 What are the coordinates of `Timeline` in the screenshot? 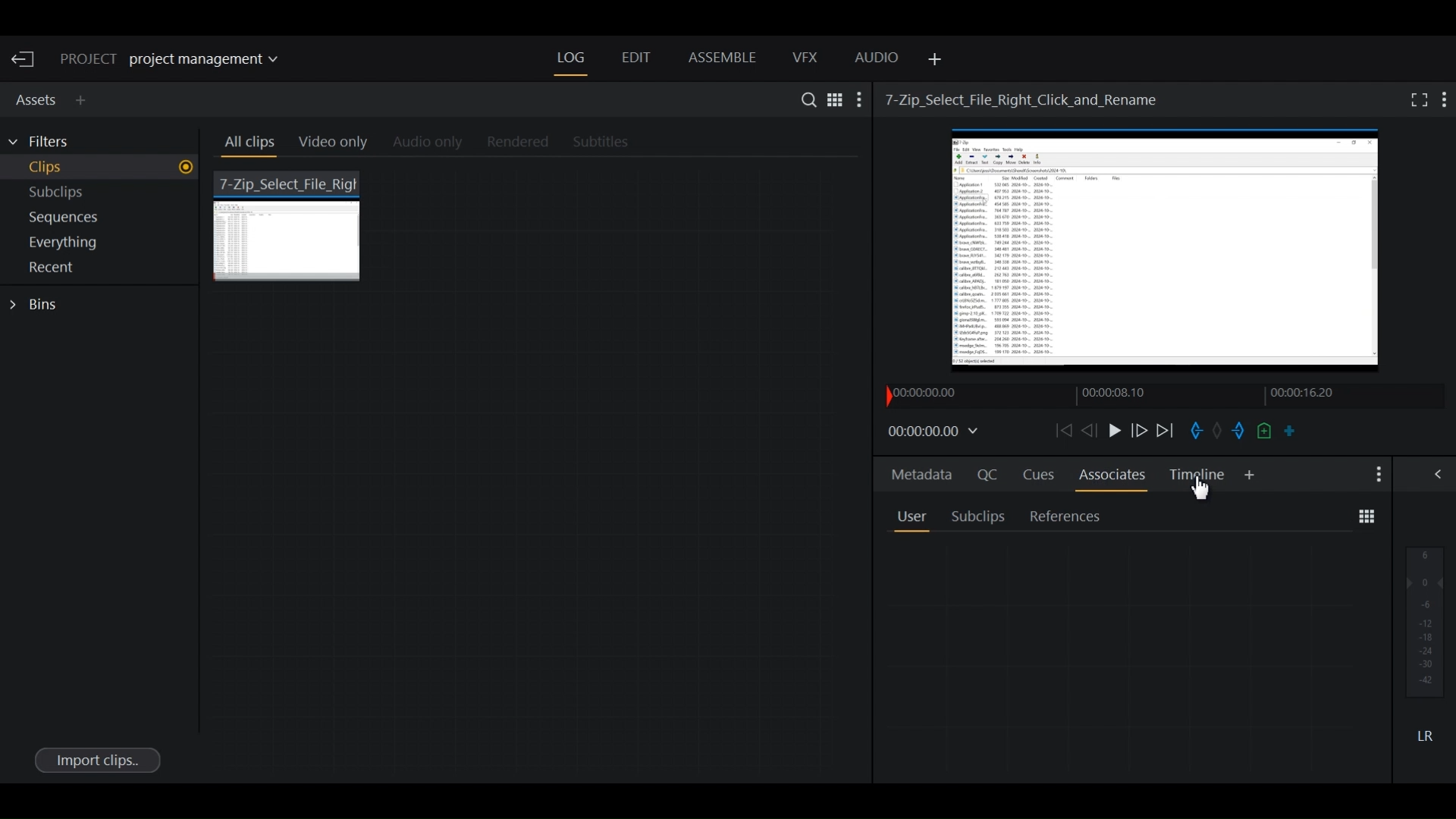 It's located at (1197, 475).